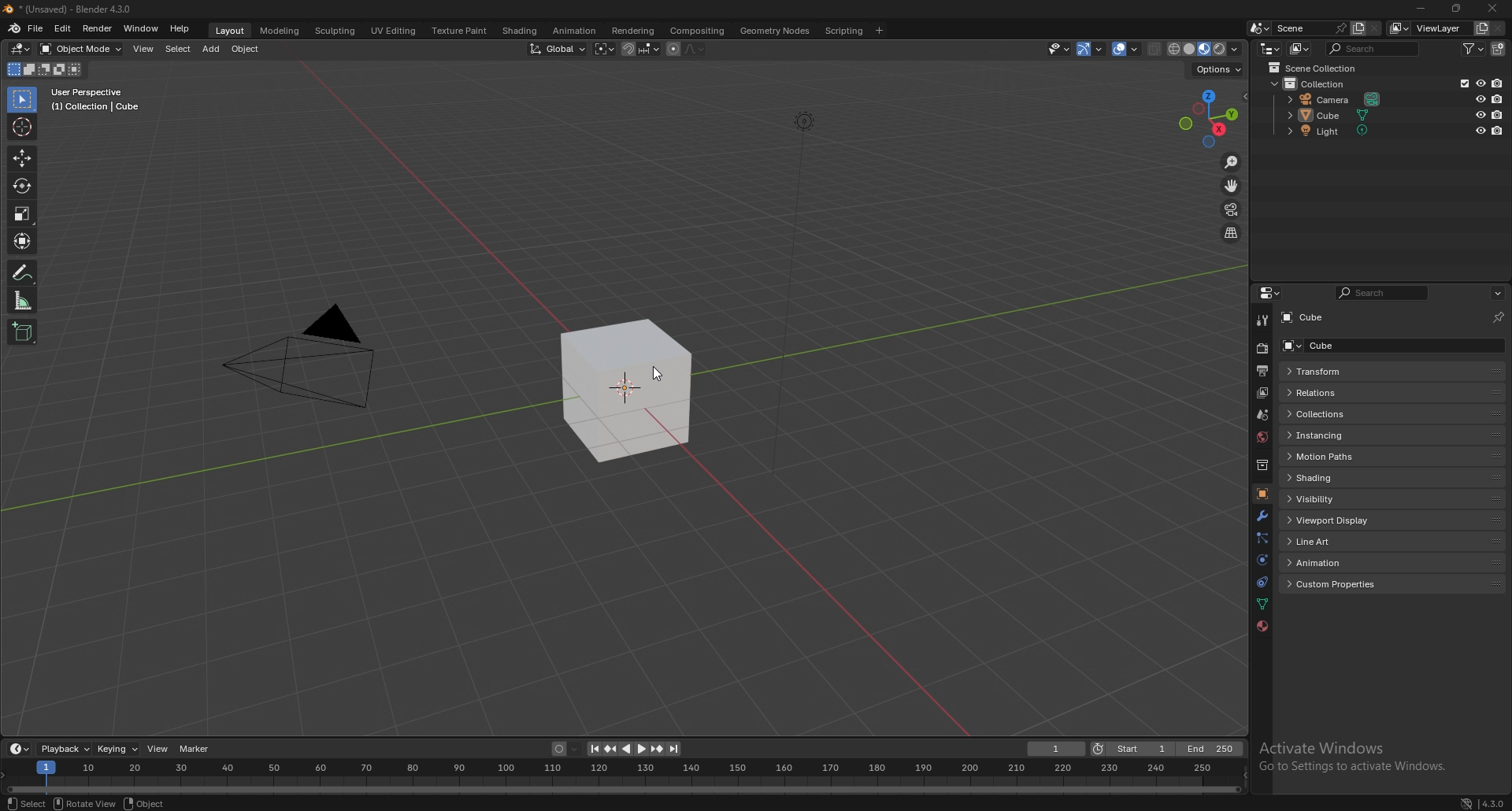 Image resolution: width=1512 pixels, height=811 pixels. What do you see at coordinates (1372, 49) in the screenshot?
I see `search` at bounding box center [1372, 49].